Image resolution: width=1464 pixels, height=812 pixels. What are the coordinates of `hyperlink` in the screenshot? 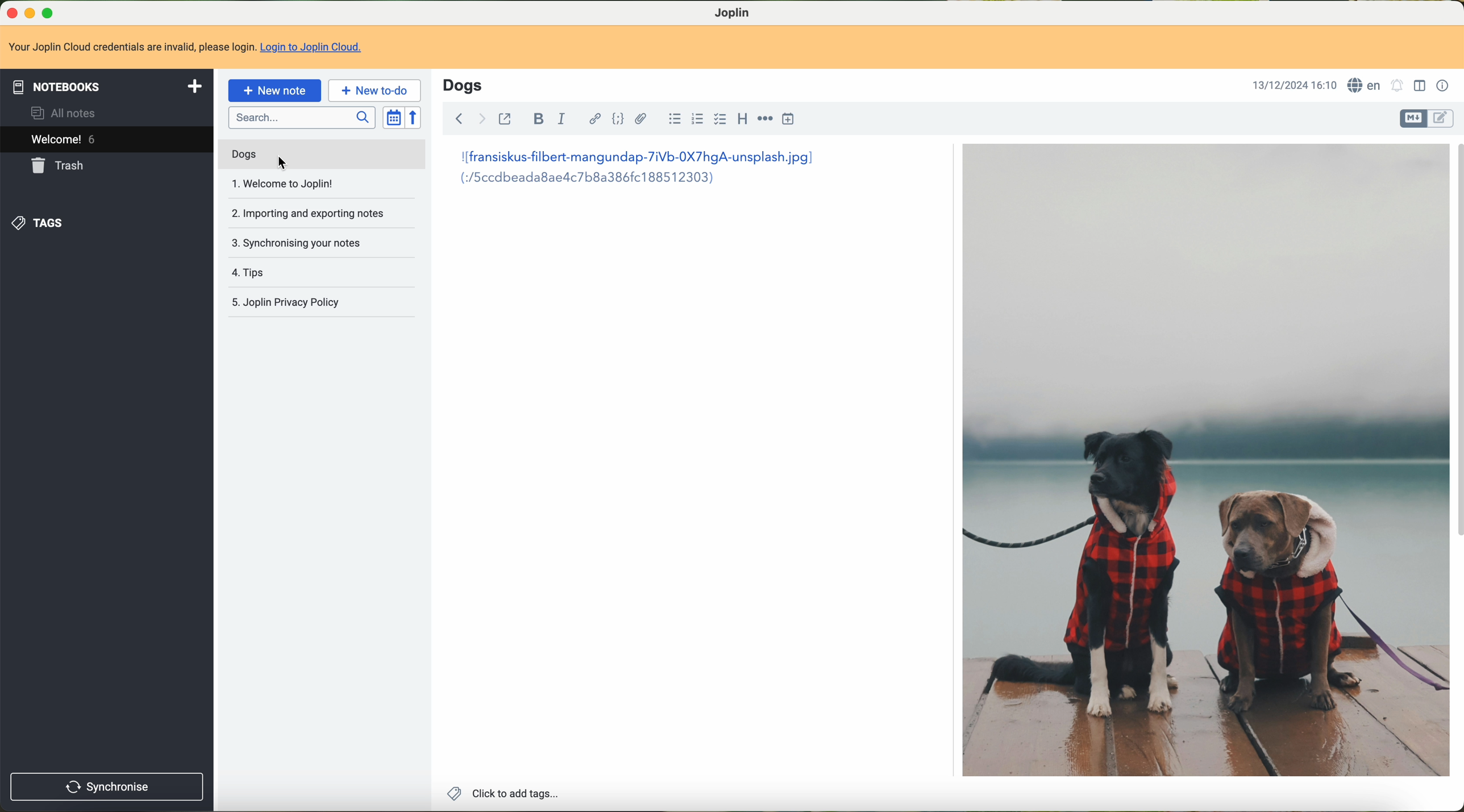 It's located at (592, 120).